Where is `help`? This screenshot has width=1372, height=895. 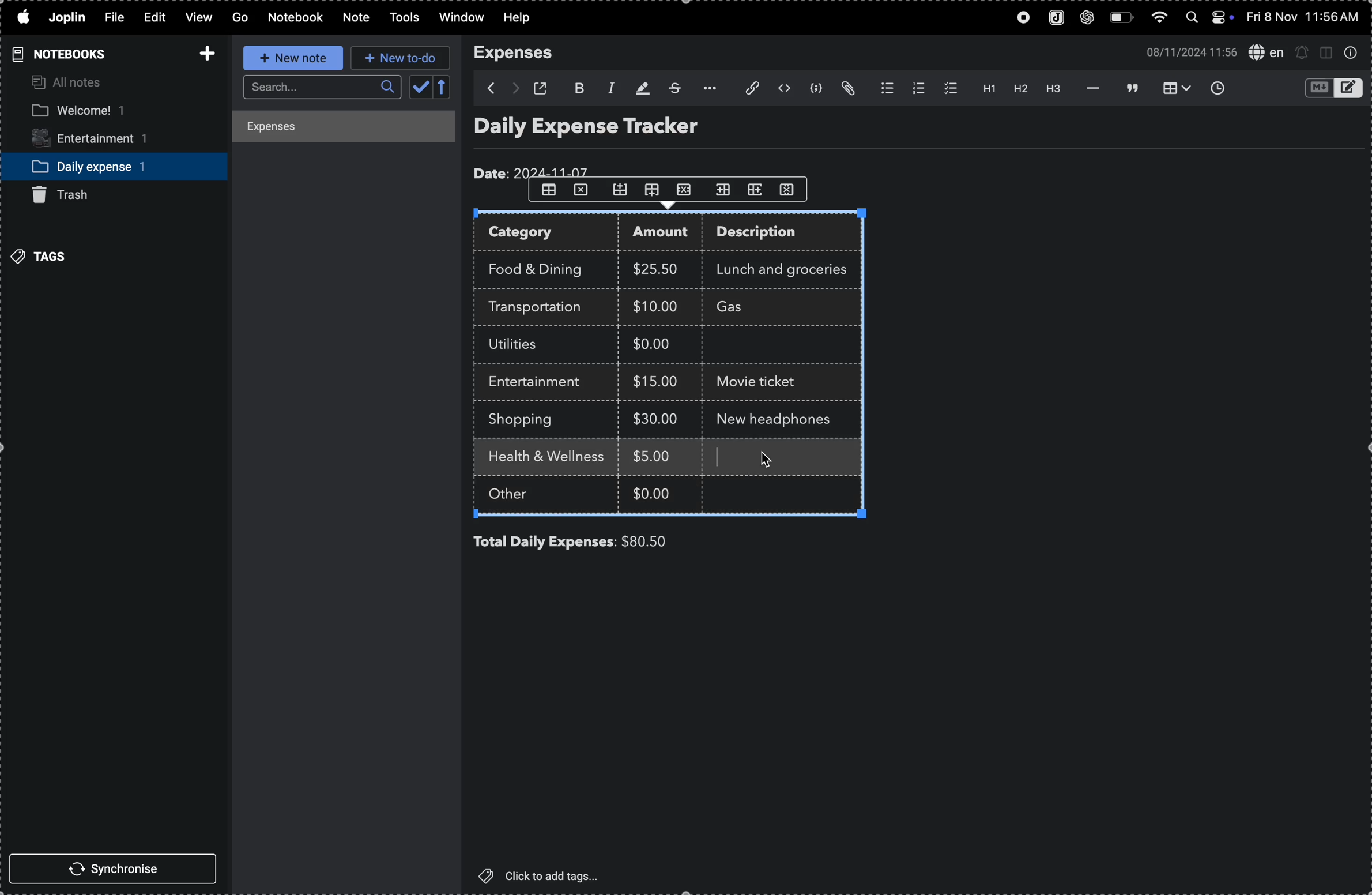
help is located at coordinates (524, 18).